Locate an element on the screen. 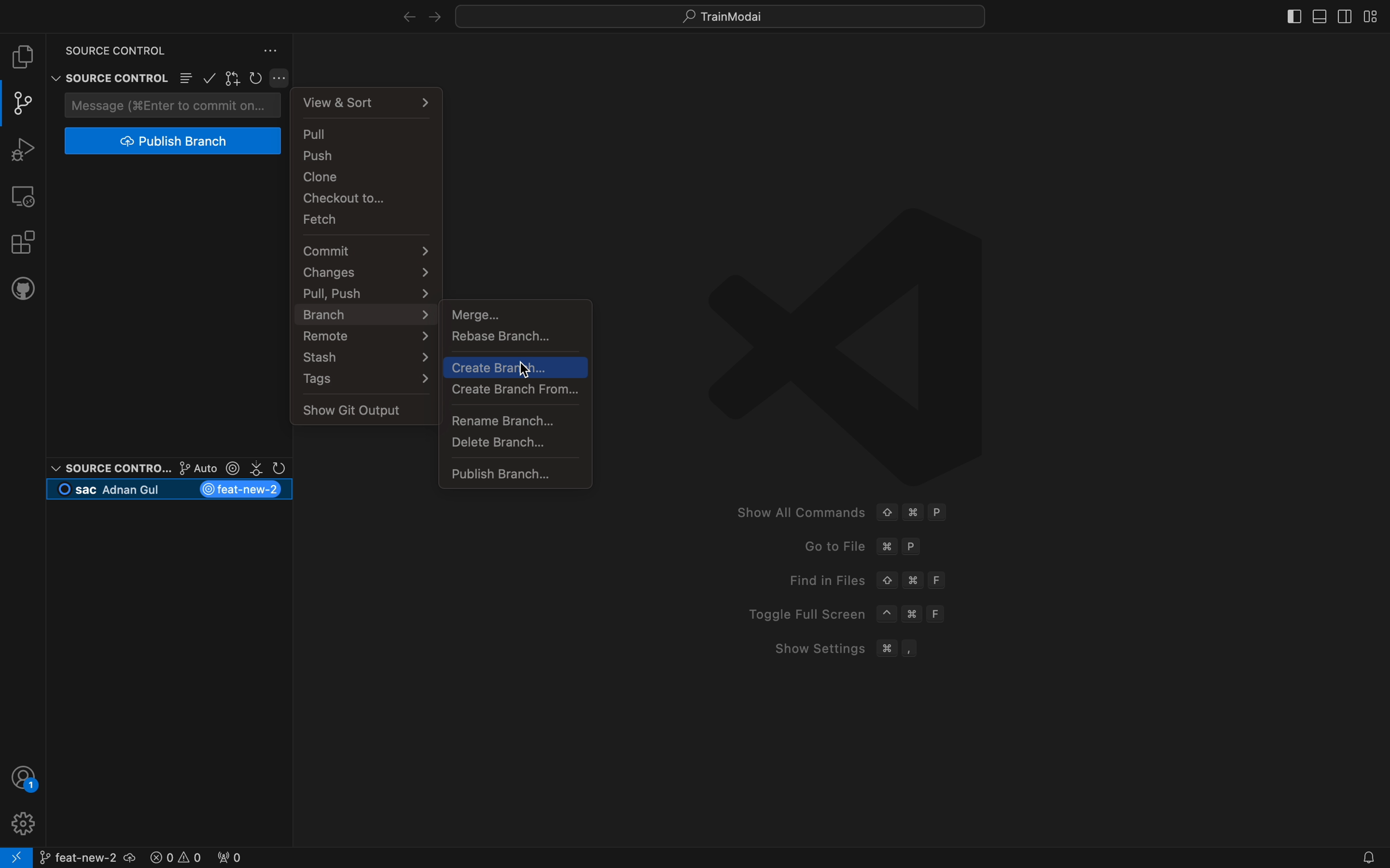  current branch  is located at coordinates (171, 490).